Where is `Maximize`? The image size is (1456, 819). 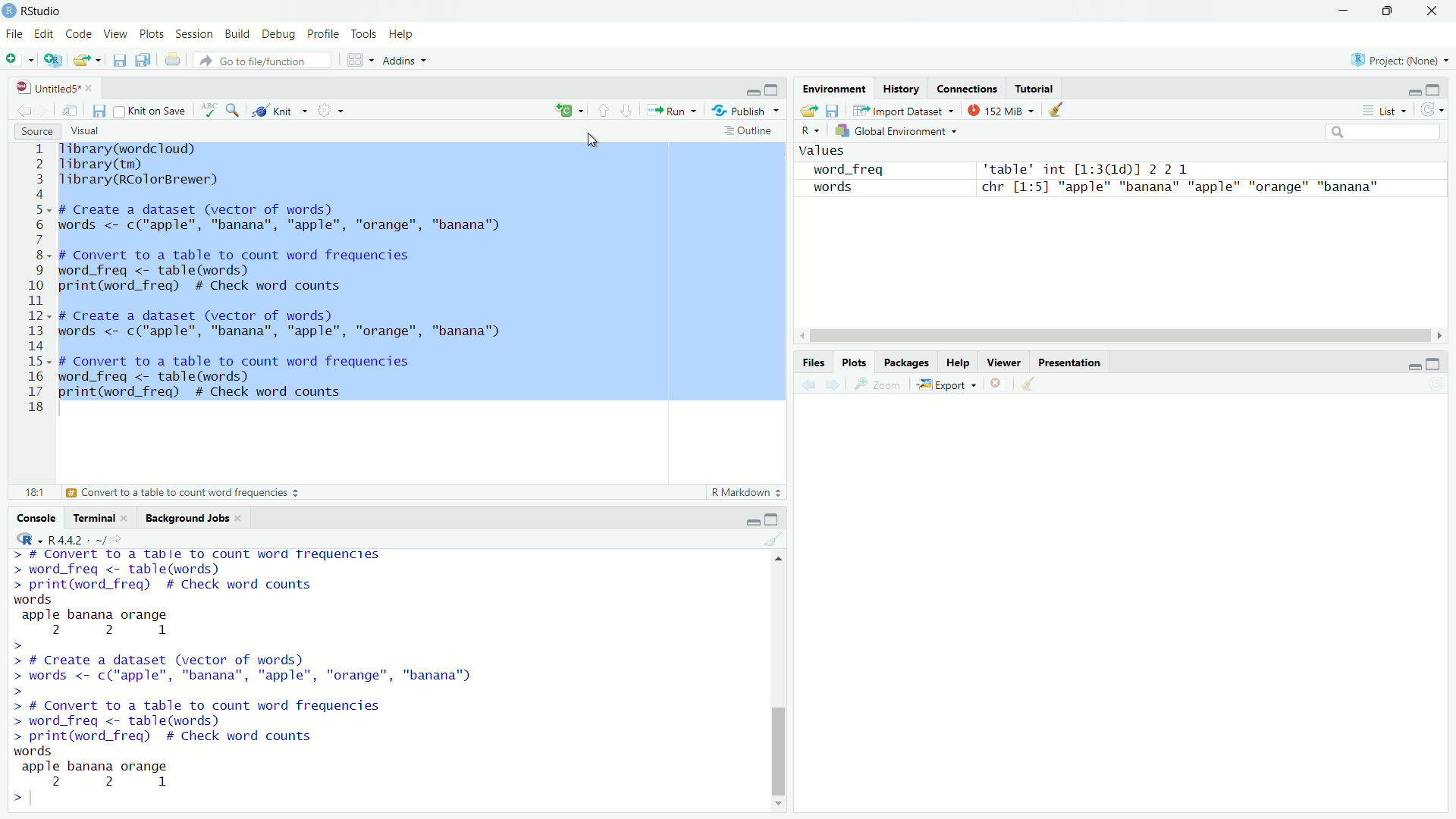 Maximize is located at coordinates (773, 519).